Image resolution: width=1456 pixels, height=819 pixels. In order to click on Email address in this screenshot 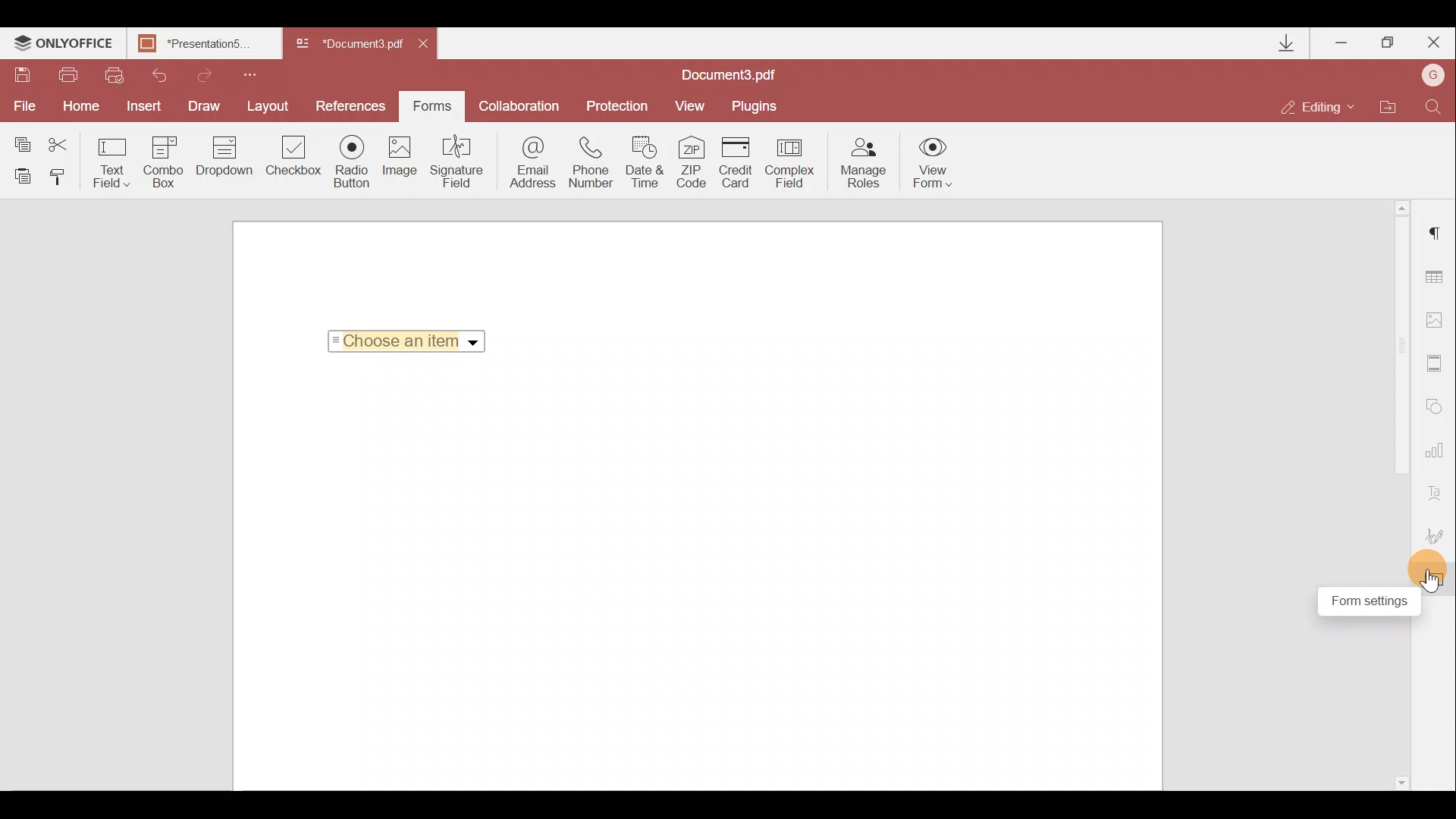, I will do `click(533, 165)`.